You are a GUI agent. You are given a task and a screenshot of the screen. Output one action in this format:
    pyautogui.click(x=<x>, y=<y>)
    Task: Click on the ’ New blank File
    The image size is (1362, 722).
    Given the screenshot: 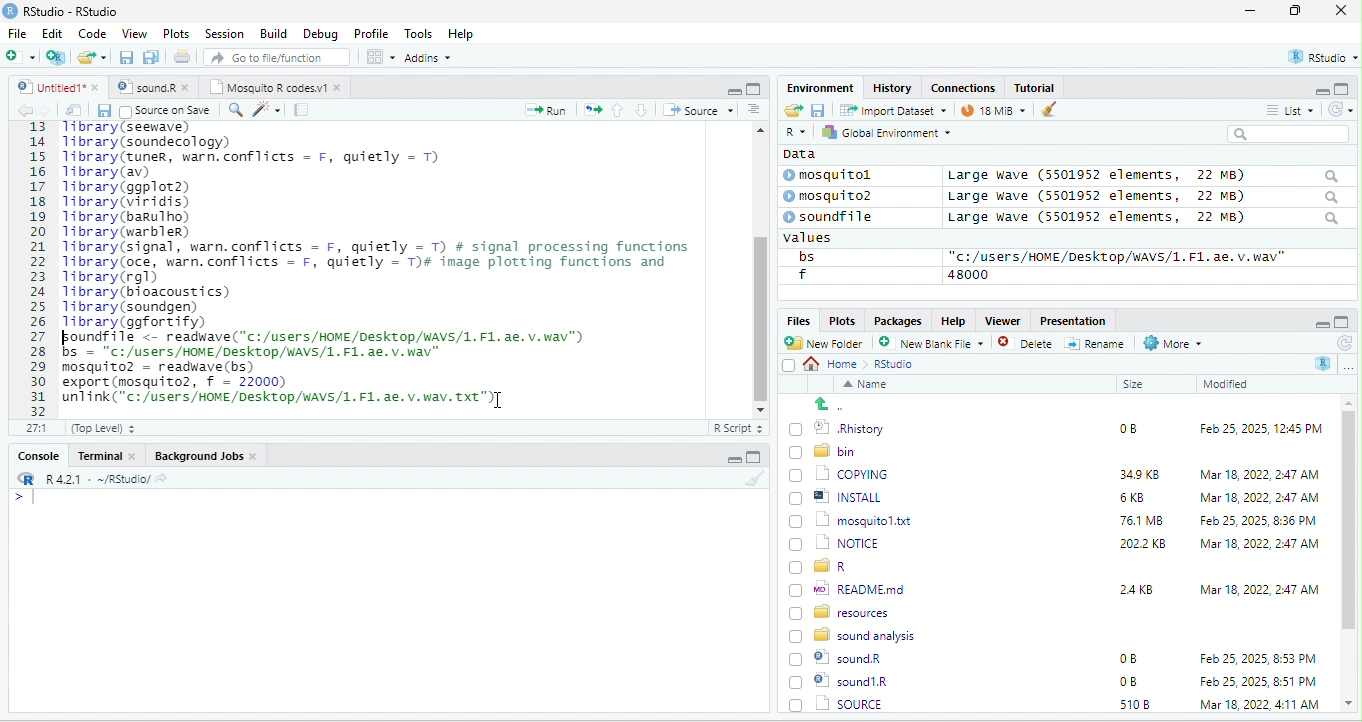 What is the action you would take?
    pyautogui.click(x=937, y=346)
    